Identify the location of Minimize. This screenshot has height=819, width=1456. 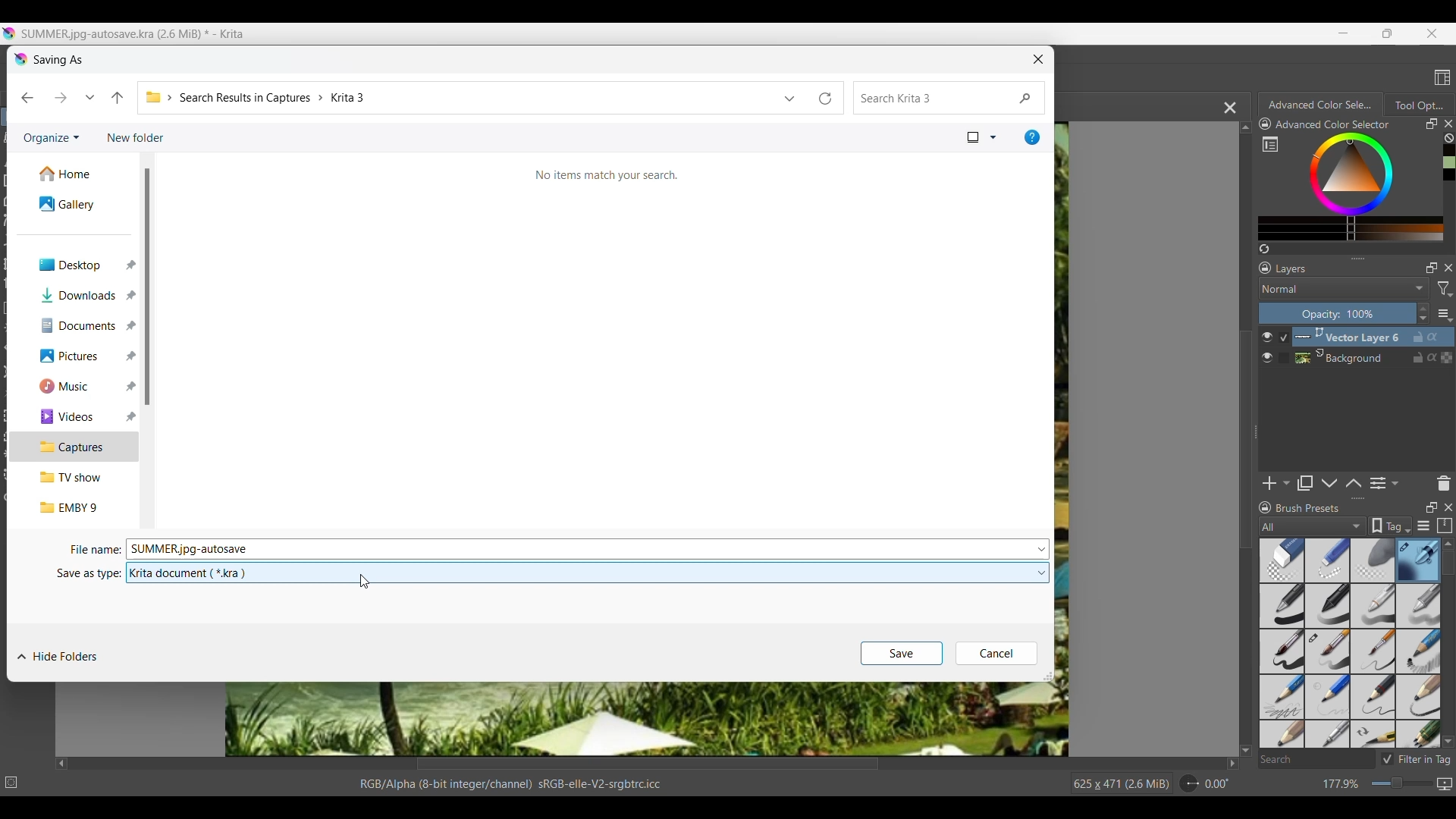
(1344, 33).